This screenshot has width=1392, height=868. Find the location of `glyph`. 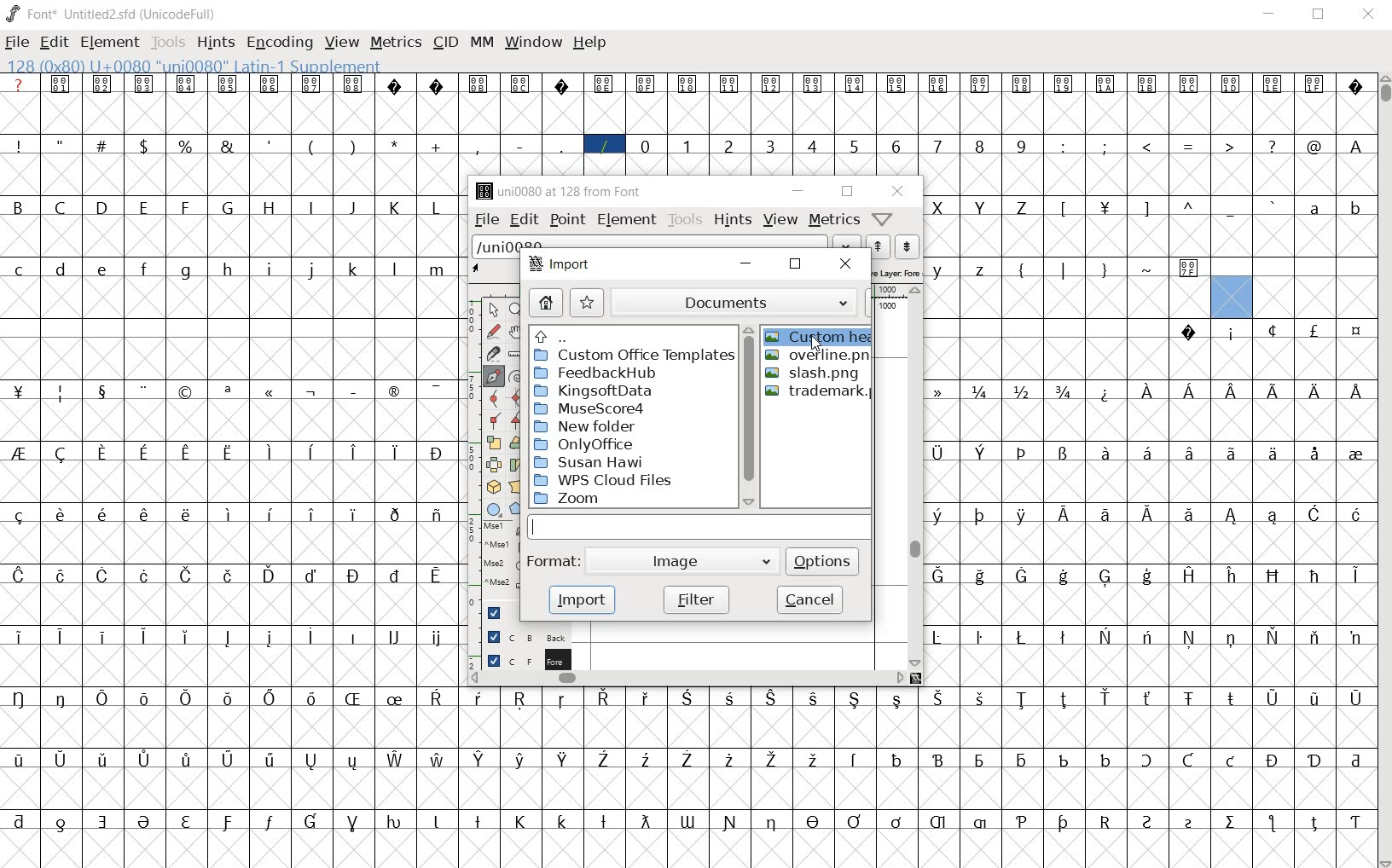

glyph is located at coordinates (938, 760).